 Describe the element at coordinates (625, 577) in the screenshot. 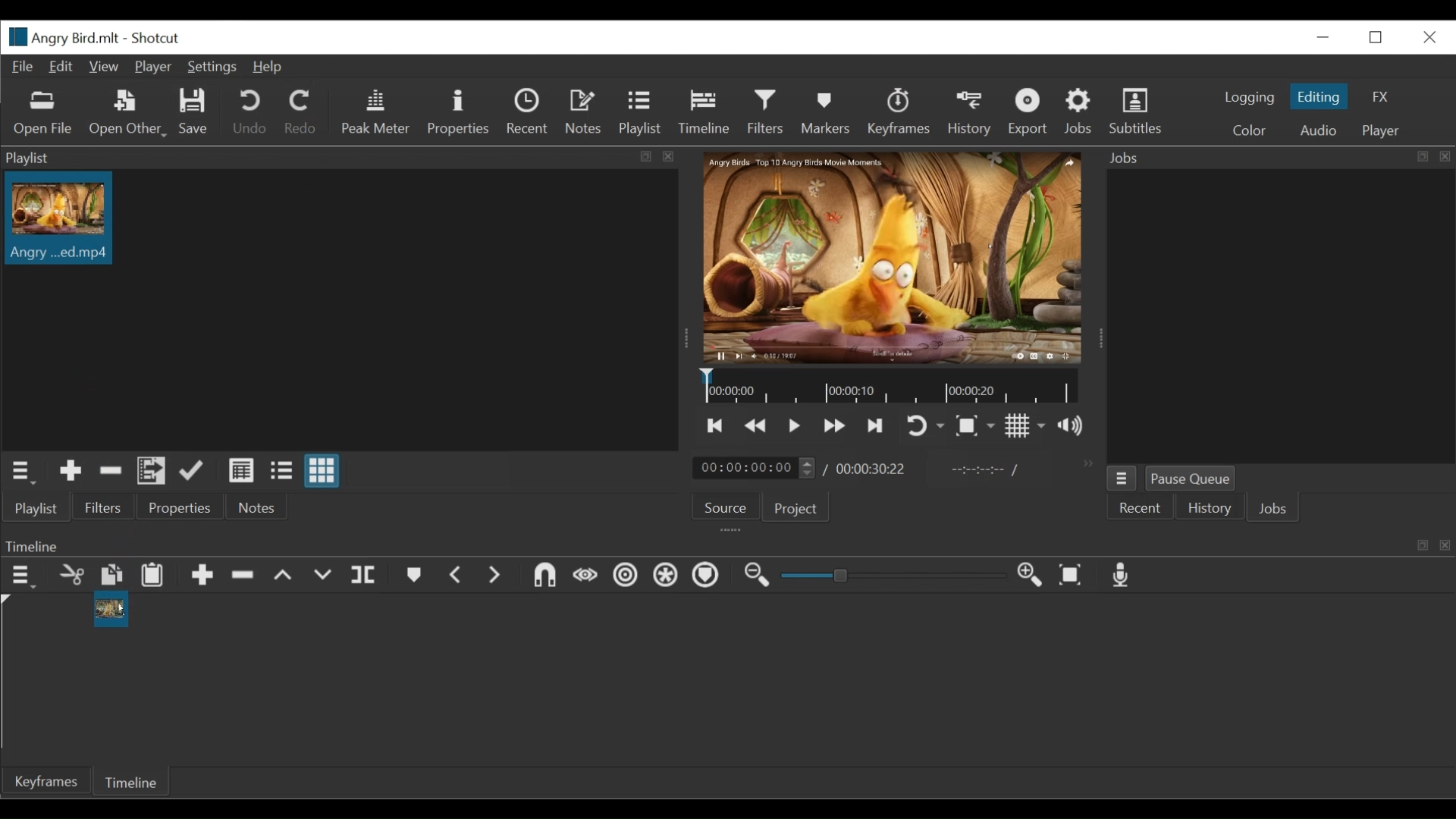

I see `Rippe` at that location.